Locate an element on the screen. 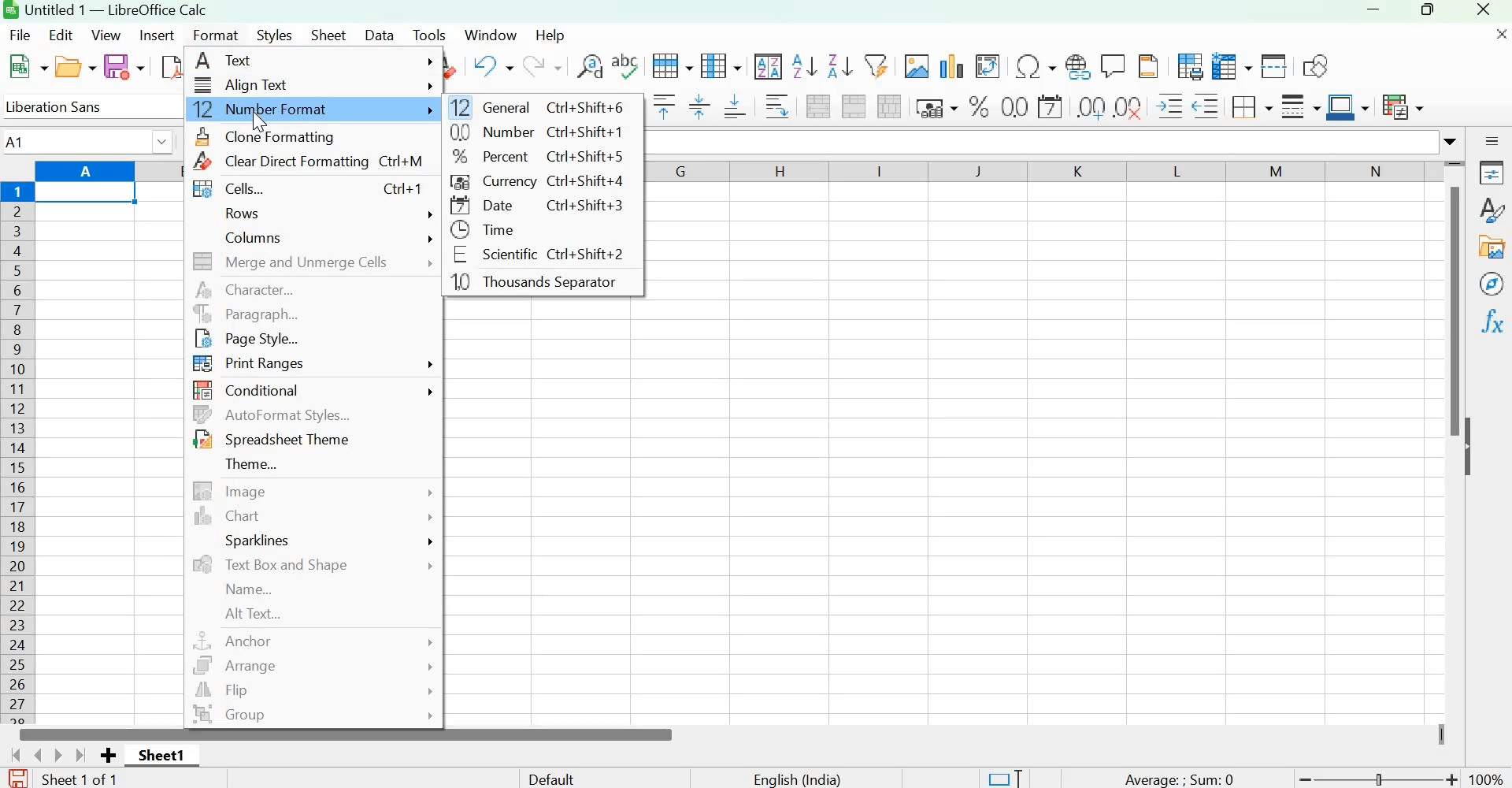  Maximize is located at coordinates (1426, 13).